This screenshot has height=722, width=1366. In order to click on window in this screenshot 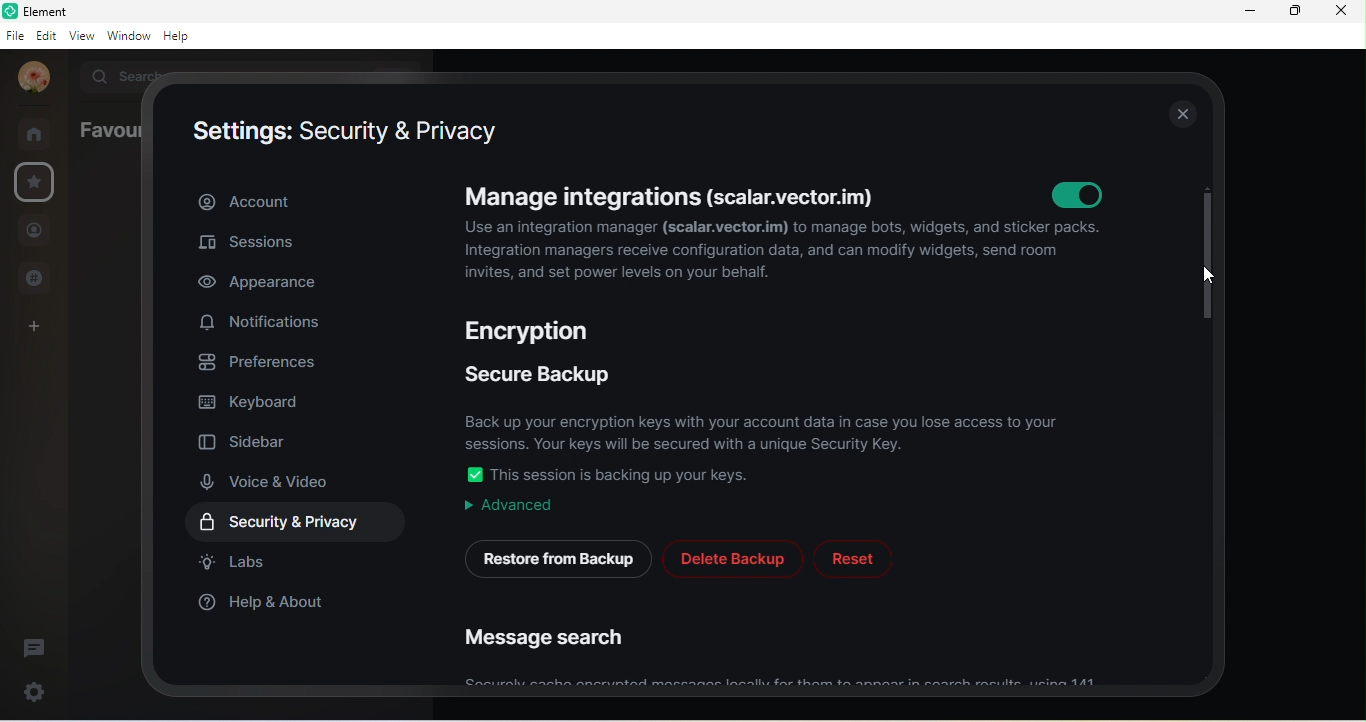, I will do `click(130, 37)`.